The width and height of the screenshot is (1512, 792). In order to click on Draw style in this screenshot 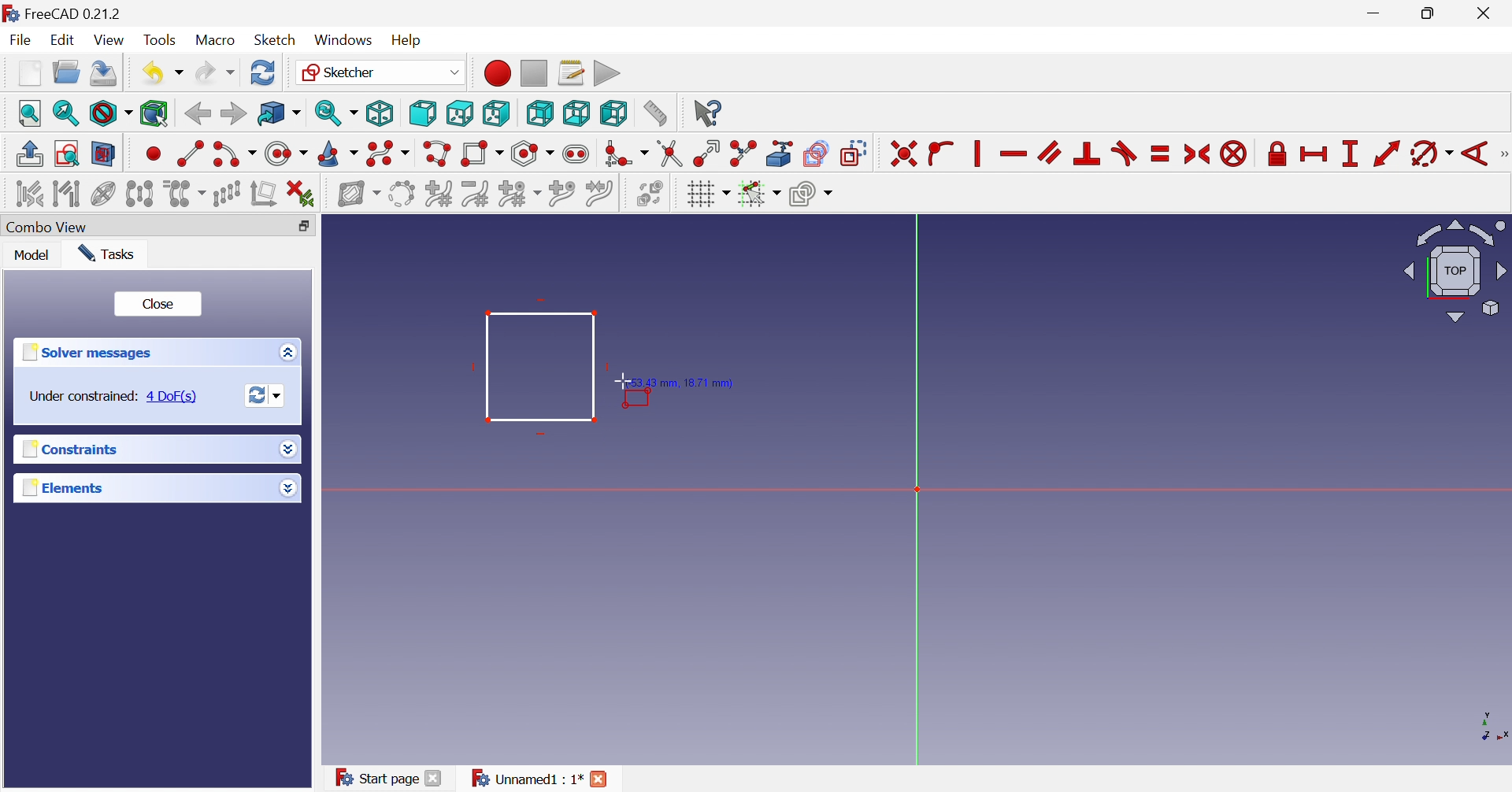, I will do `click(110, 114)`.